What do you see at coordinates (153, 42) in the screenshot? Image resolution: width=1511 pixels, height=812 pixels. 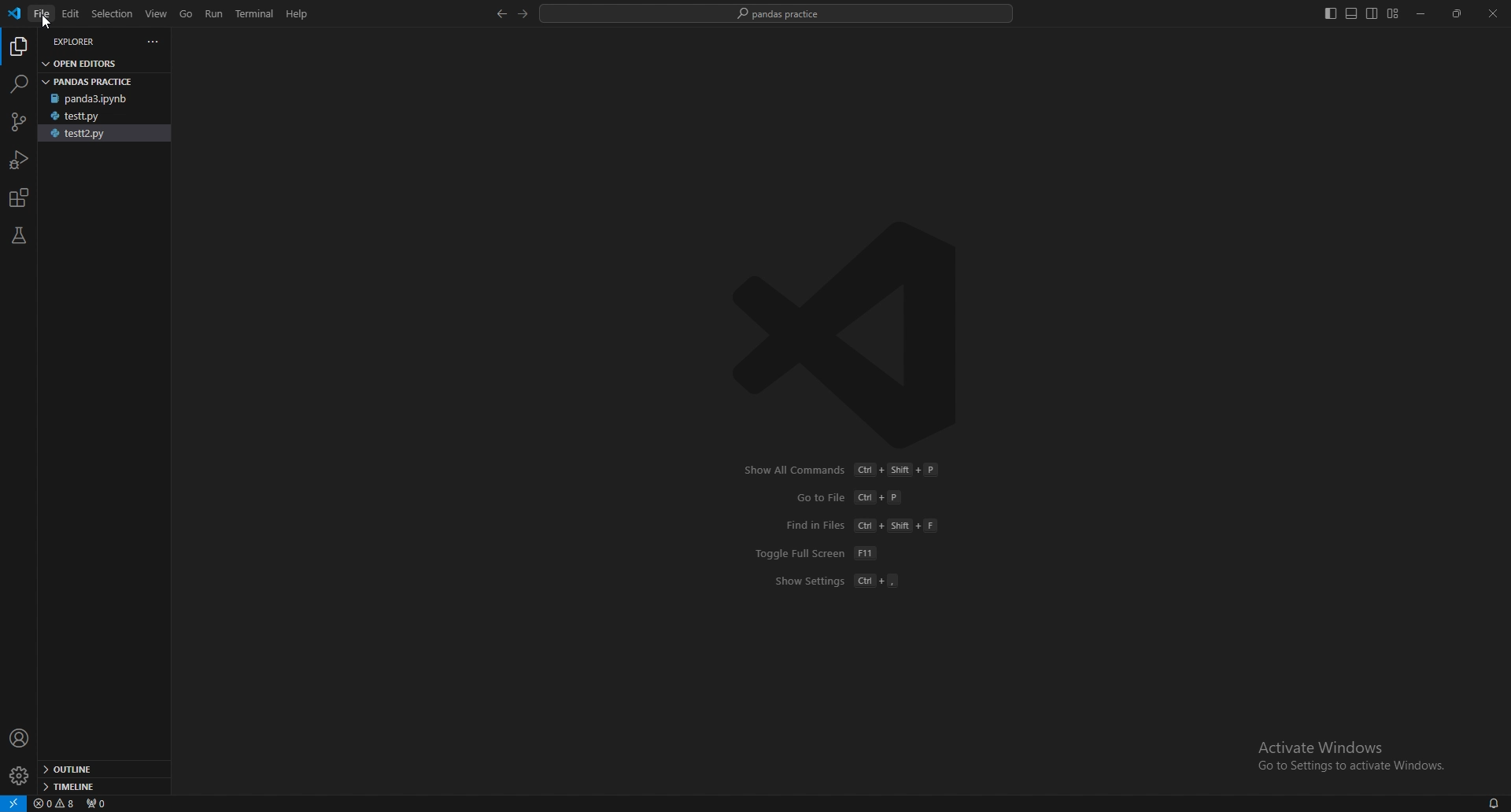 I see `more actions` at bounding box center [153, 42].